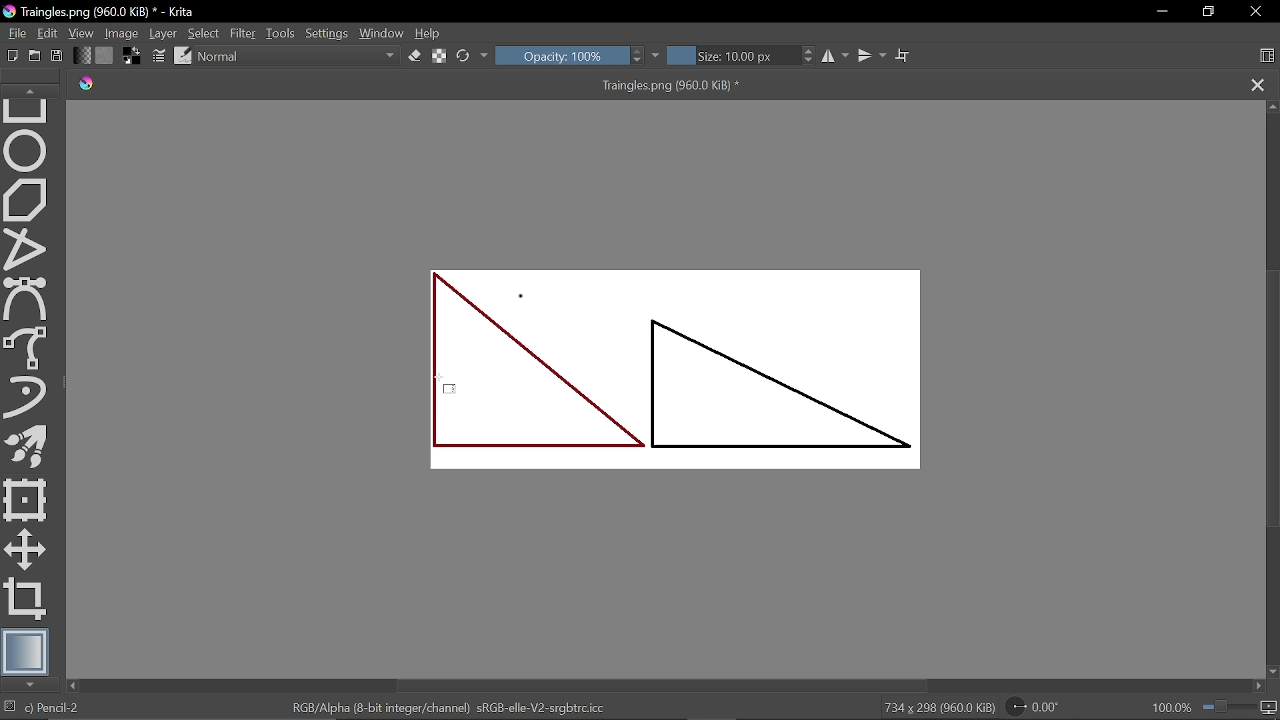  I want to click on Edit brush settings, so click(157, 55).